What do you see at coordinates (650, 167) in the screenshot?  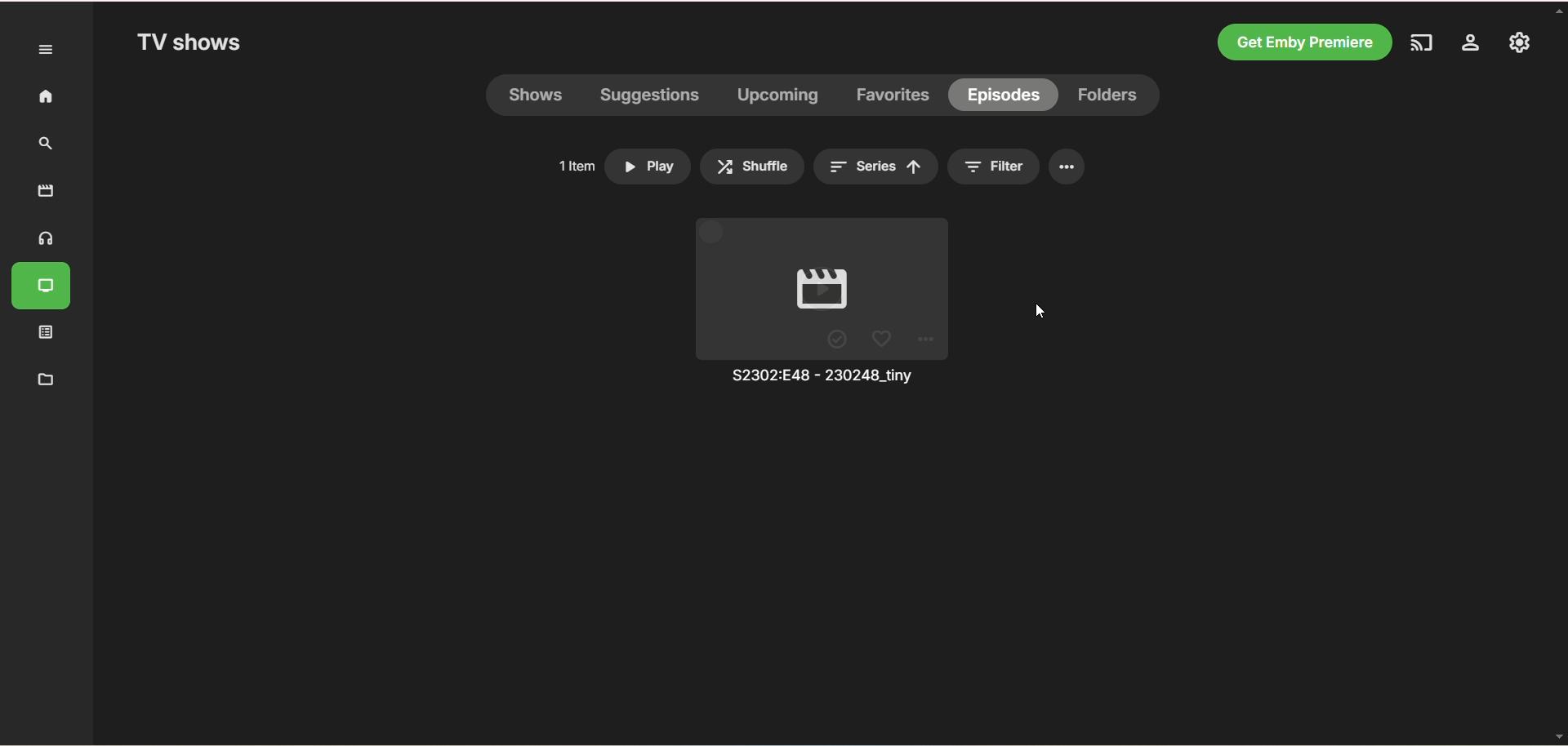 I see `» Play` at bounding box center [650, 167].